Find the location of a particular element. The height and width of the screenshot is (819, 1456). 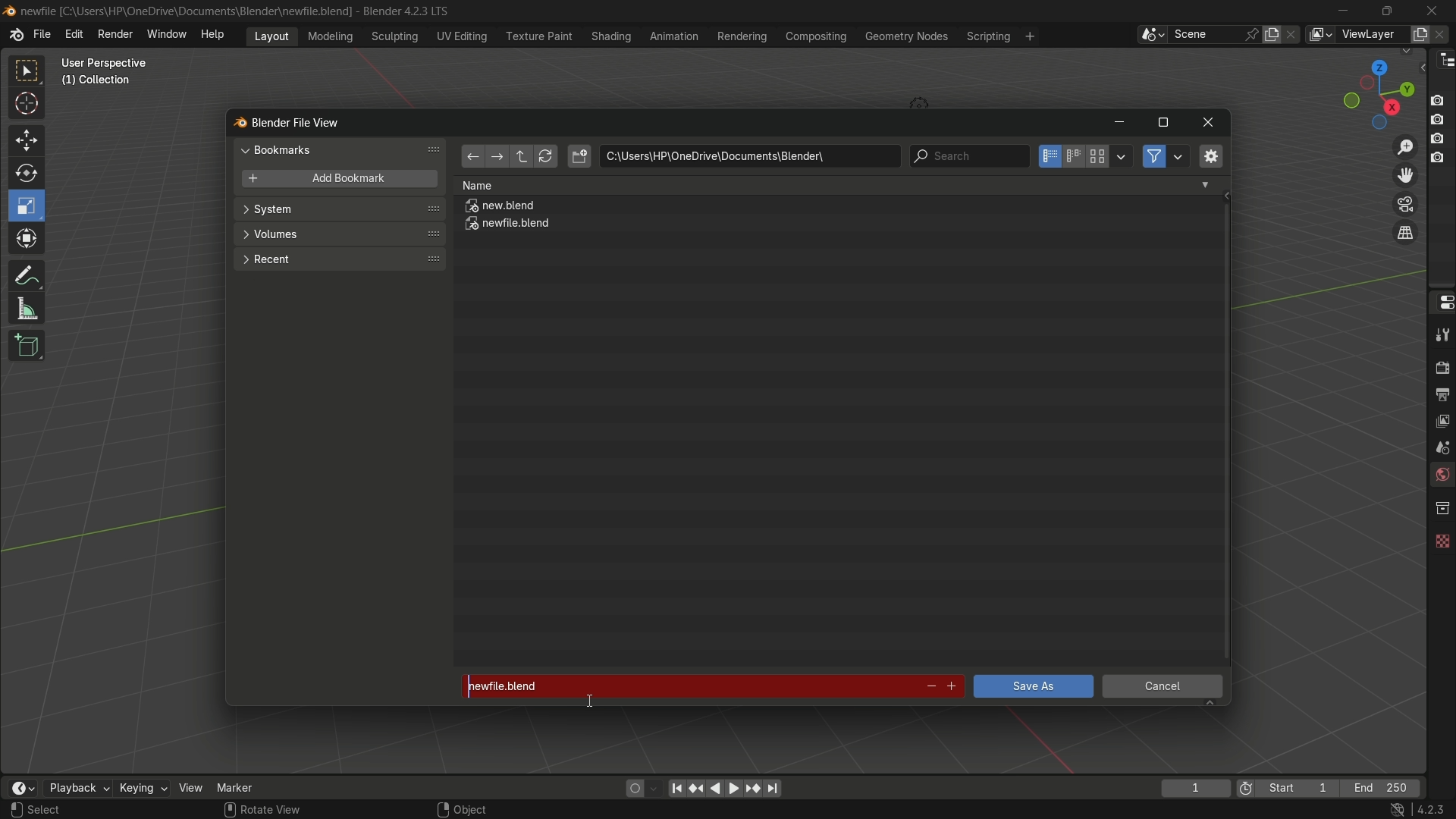

final frame of the playback is located at coordinates (1382, 789).